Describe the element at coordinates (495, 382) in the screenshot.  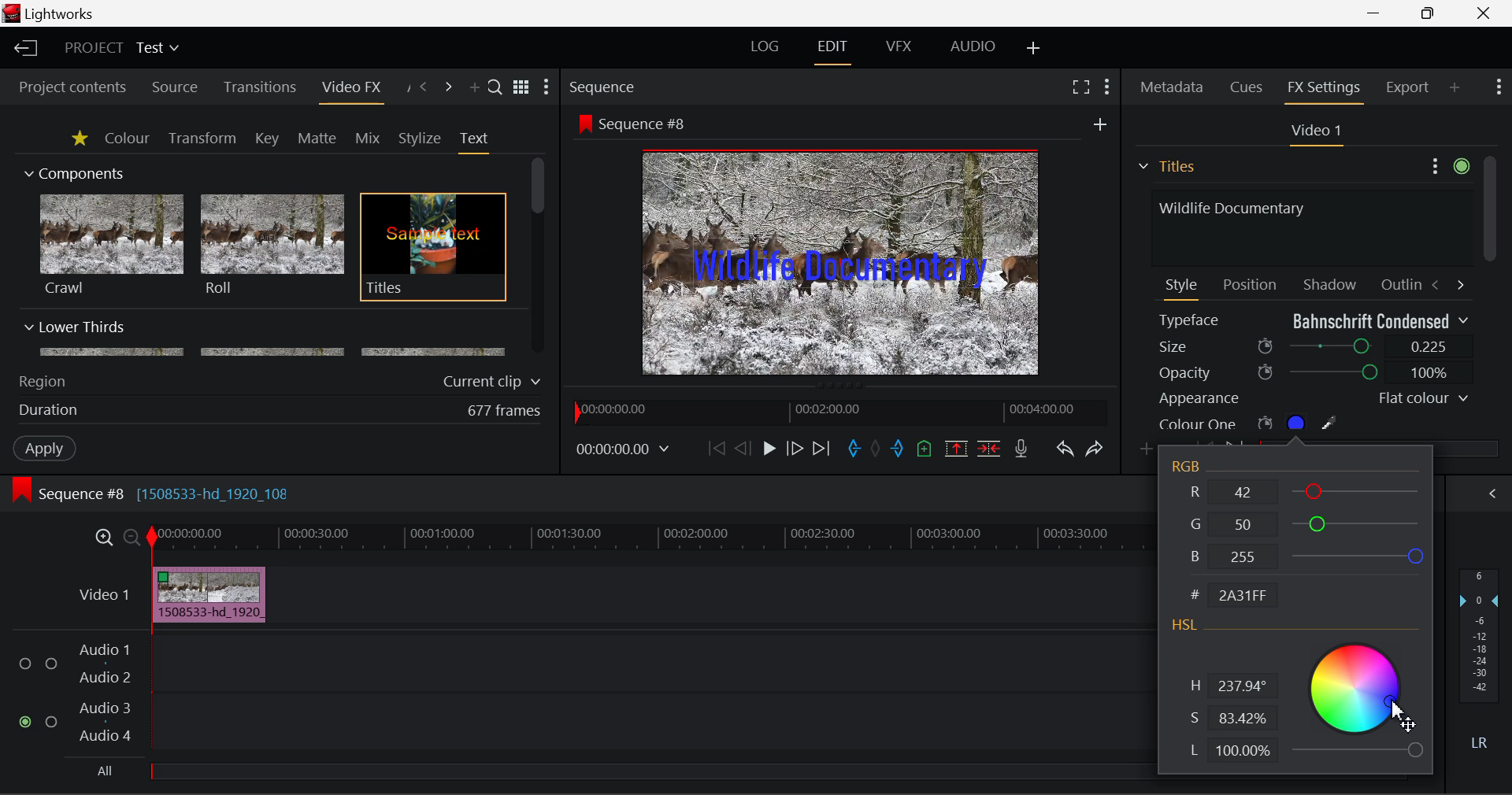
I see `Current clip` at that location.